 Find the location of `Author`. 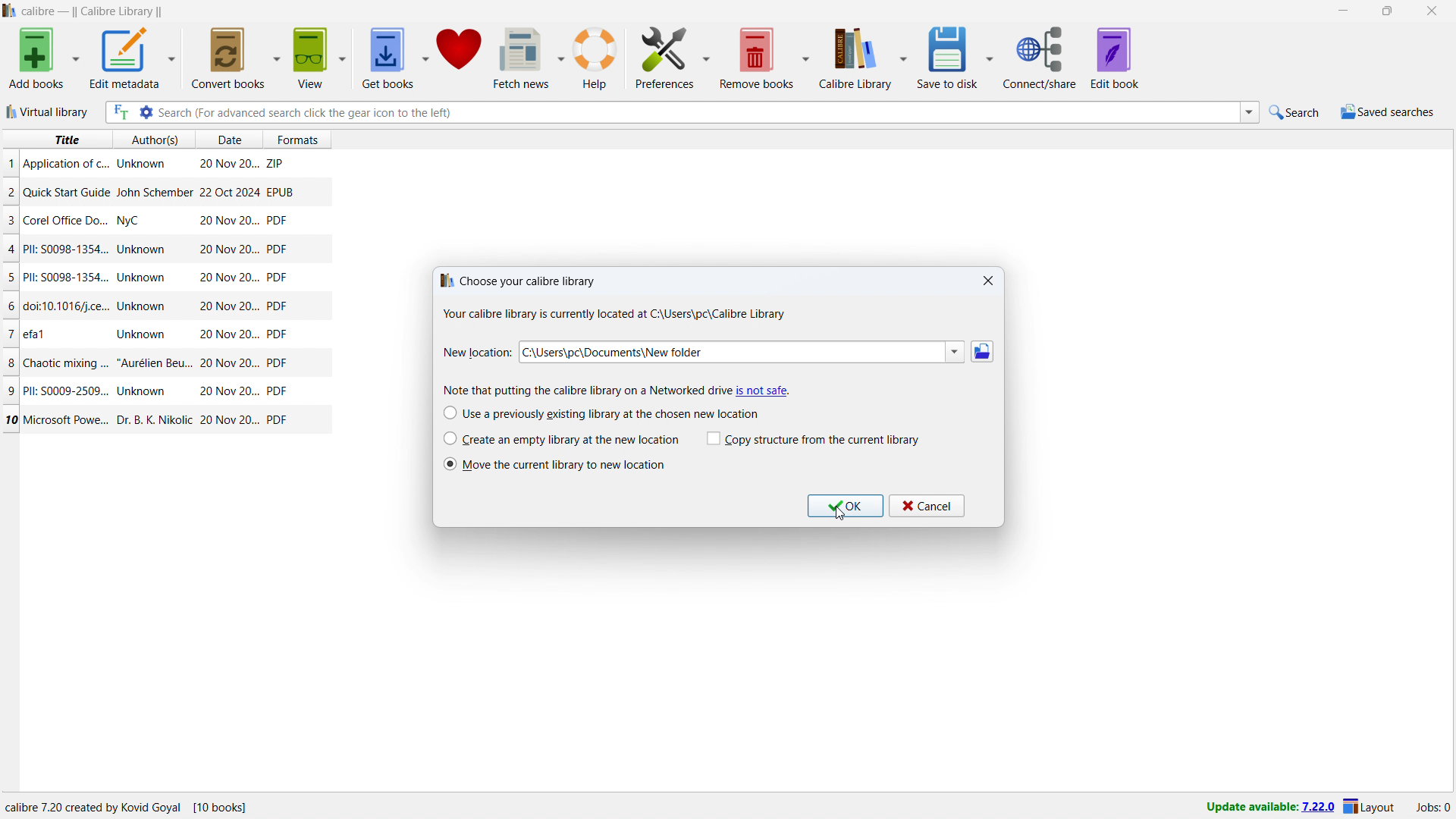

Author is located at coordinates (143, 250).